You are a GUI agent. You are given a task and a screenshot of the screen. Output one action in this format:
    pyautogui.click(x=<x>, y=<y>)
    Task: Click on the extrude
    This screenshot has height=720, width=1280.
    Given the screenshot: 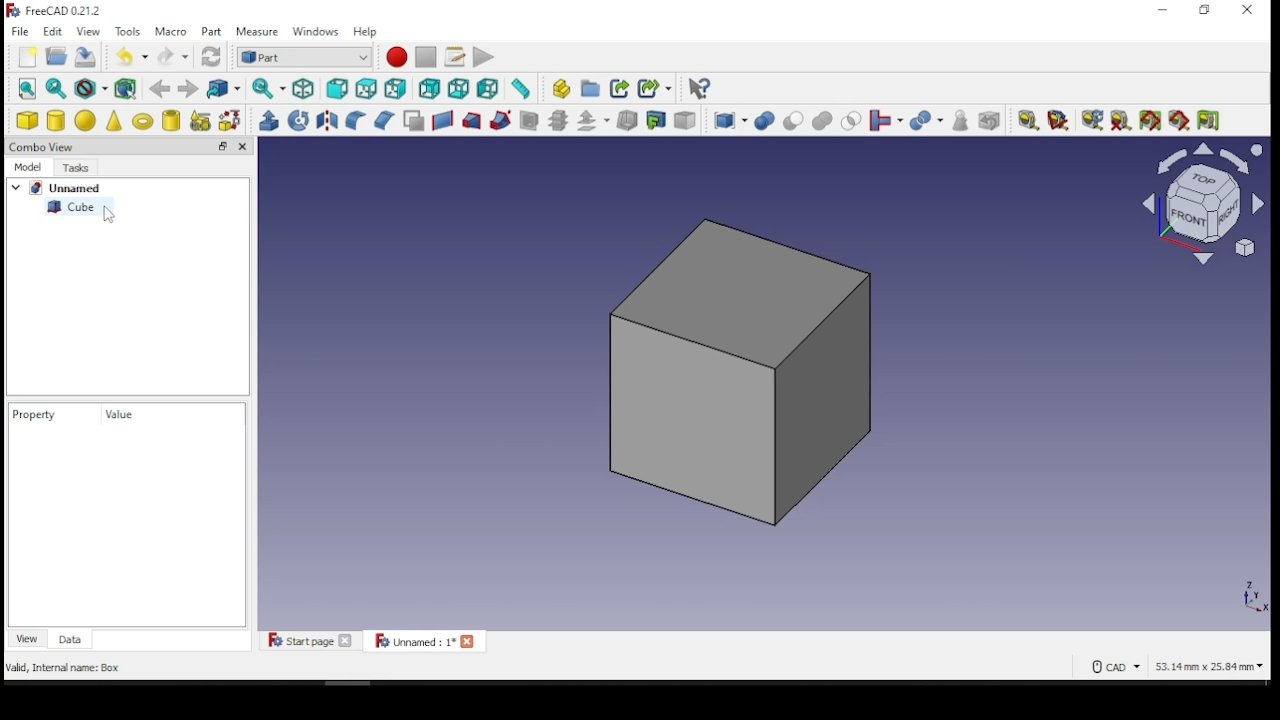 What is the action you would take?
    pyautogui.click(x=269, y=121)
    